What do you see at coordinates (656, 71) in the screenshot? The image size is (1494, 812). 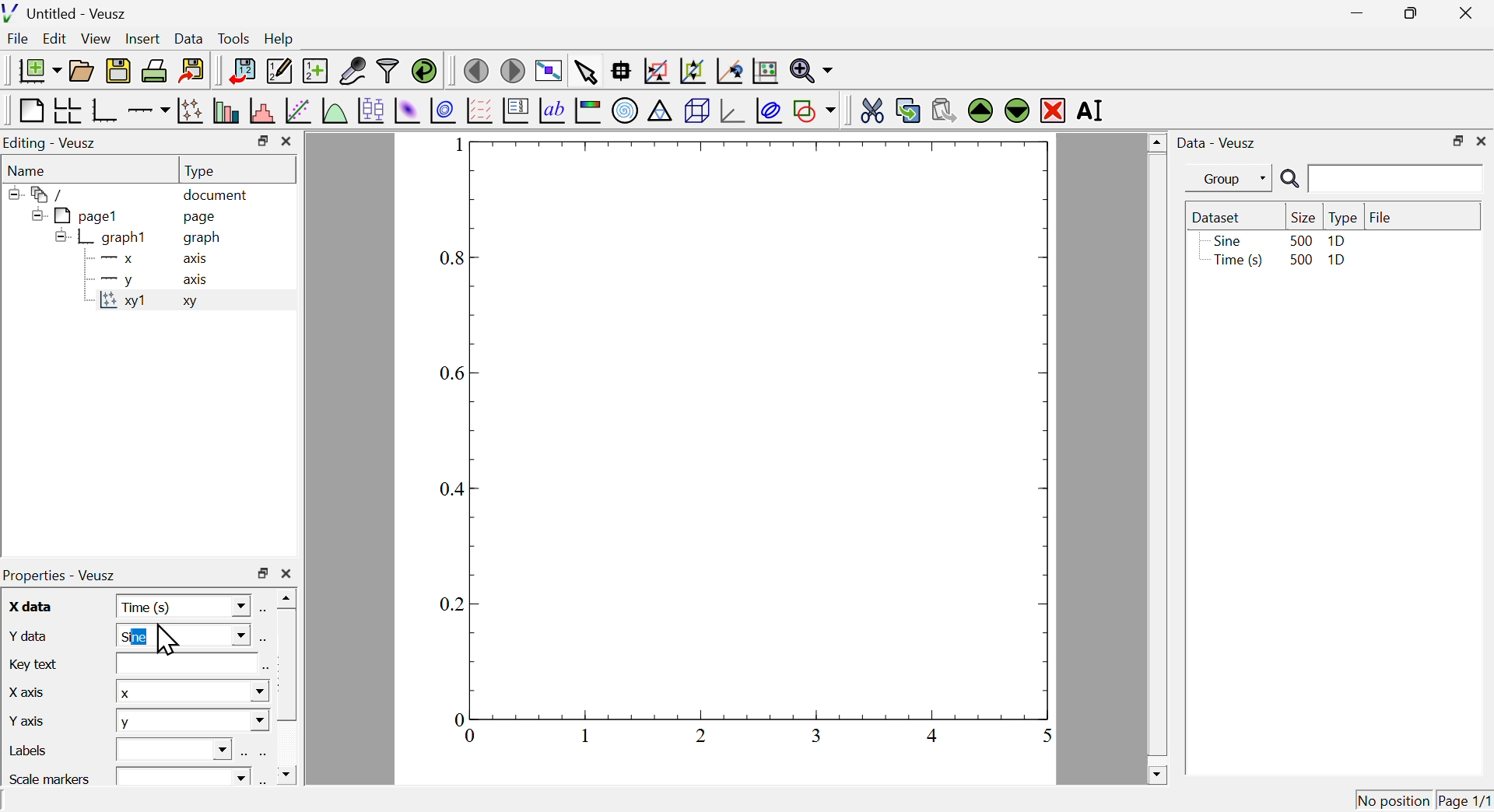 I see `draw a rectangle to zoom graph axes` at bounding box center [656, 71].